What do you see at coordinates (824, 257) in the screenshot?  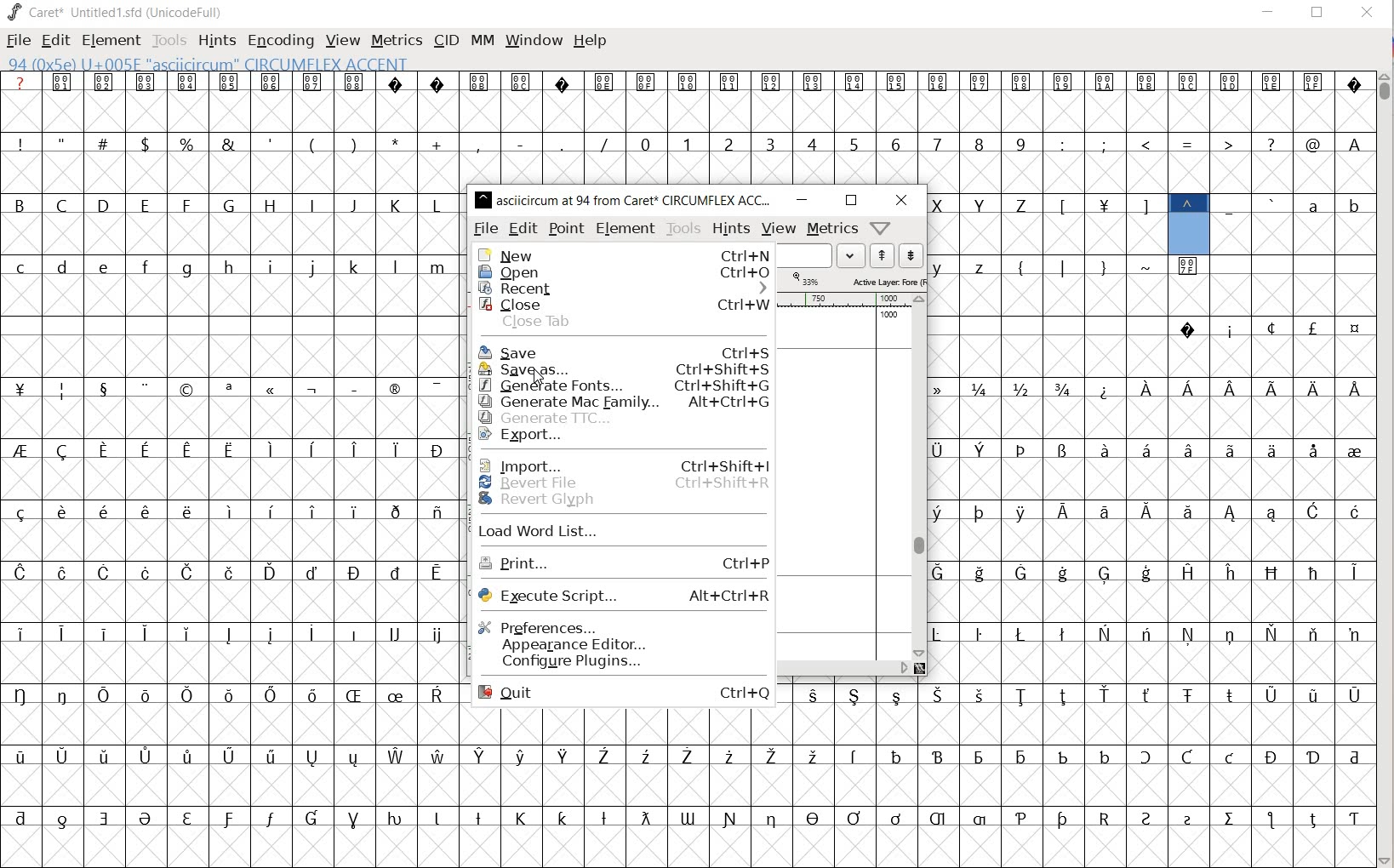 I see `load word list` at bounding box center [824, 257].